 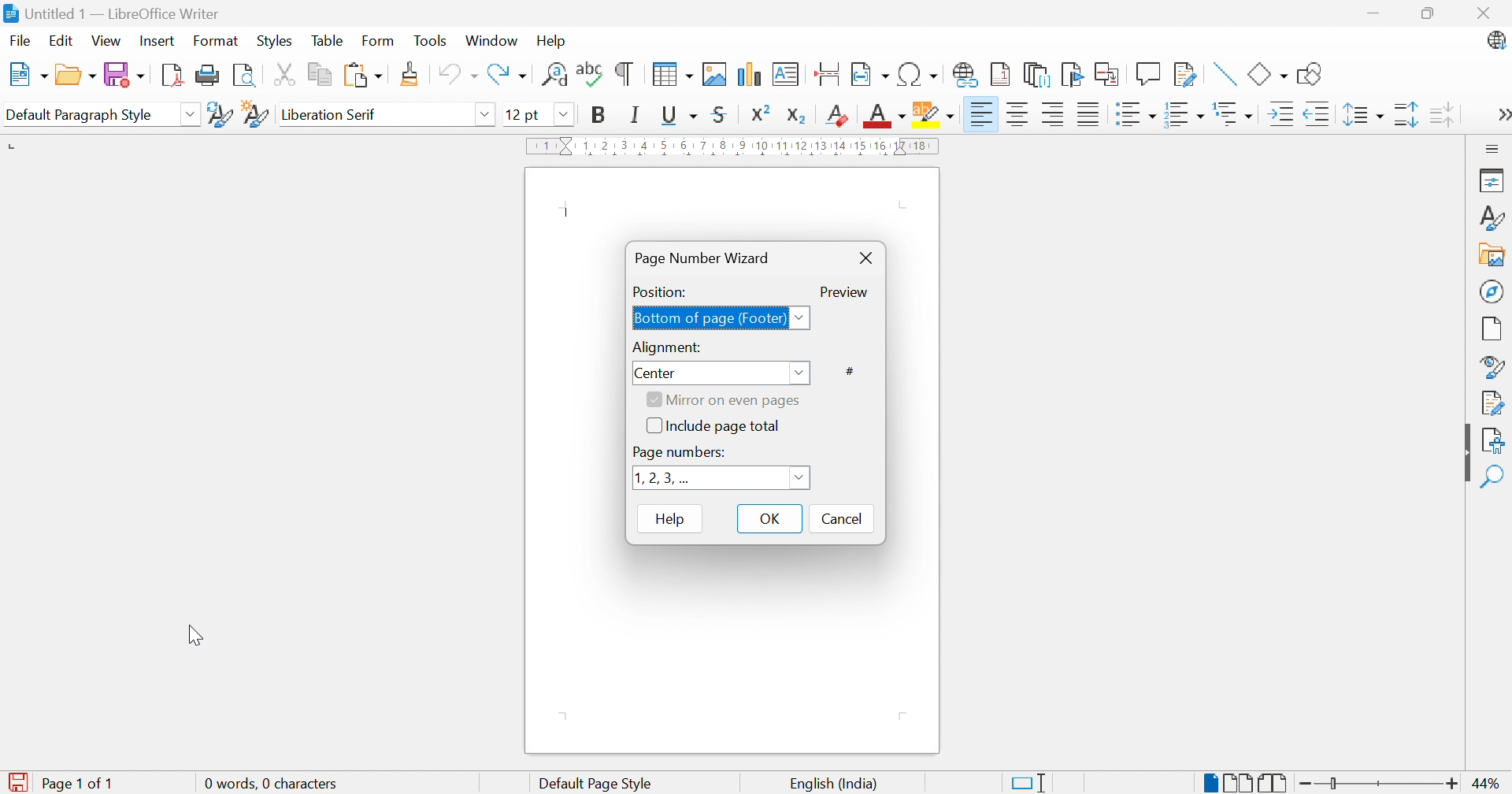 What do you see at coordinates (711, 319) in the screenshot?
I see `Bottom of page (Footer)` at bounding box center [711, 319].